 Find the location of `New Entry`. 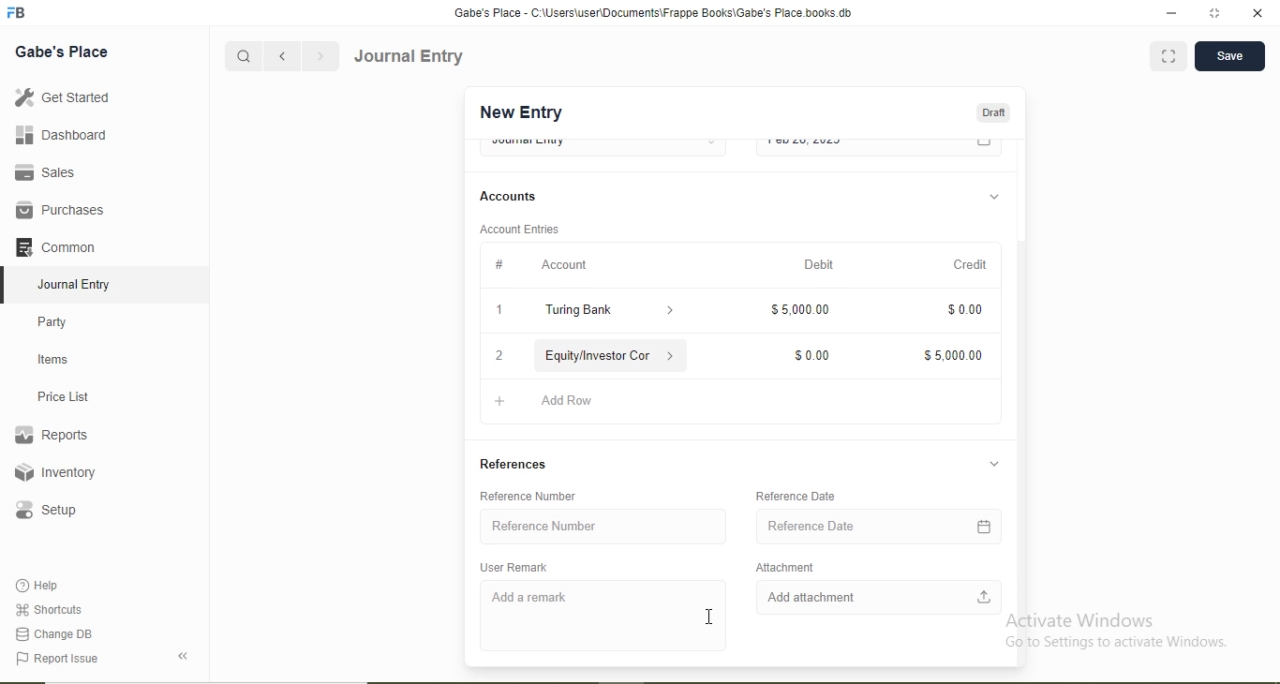

New Entry is located at coordinates (520, 113).